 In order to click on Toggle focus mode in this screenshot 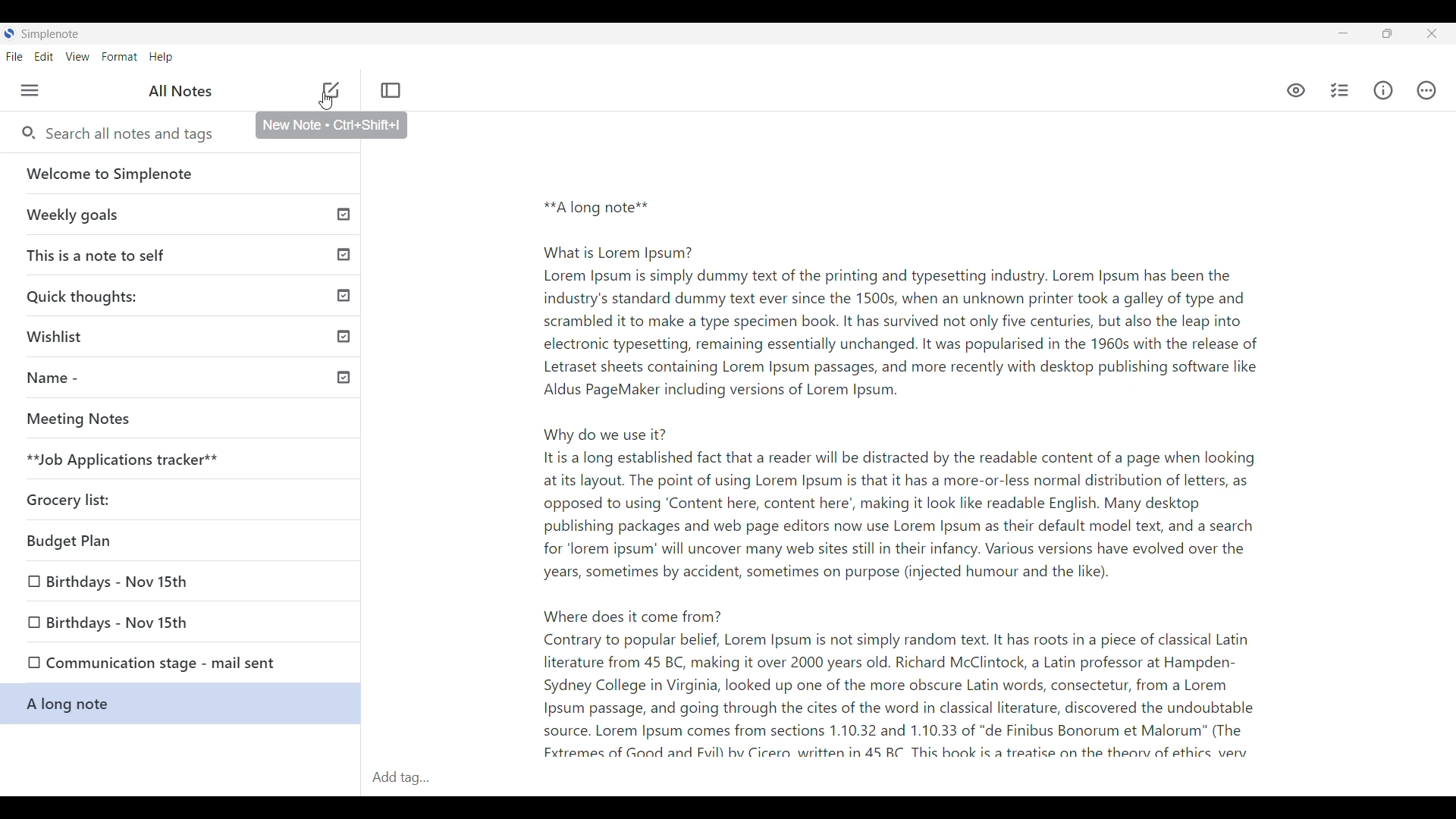, I will do `click(391, 90)`.